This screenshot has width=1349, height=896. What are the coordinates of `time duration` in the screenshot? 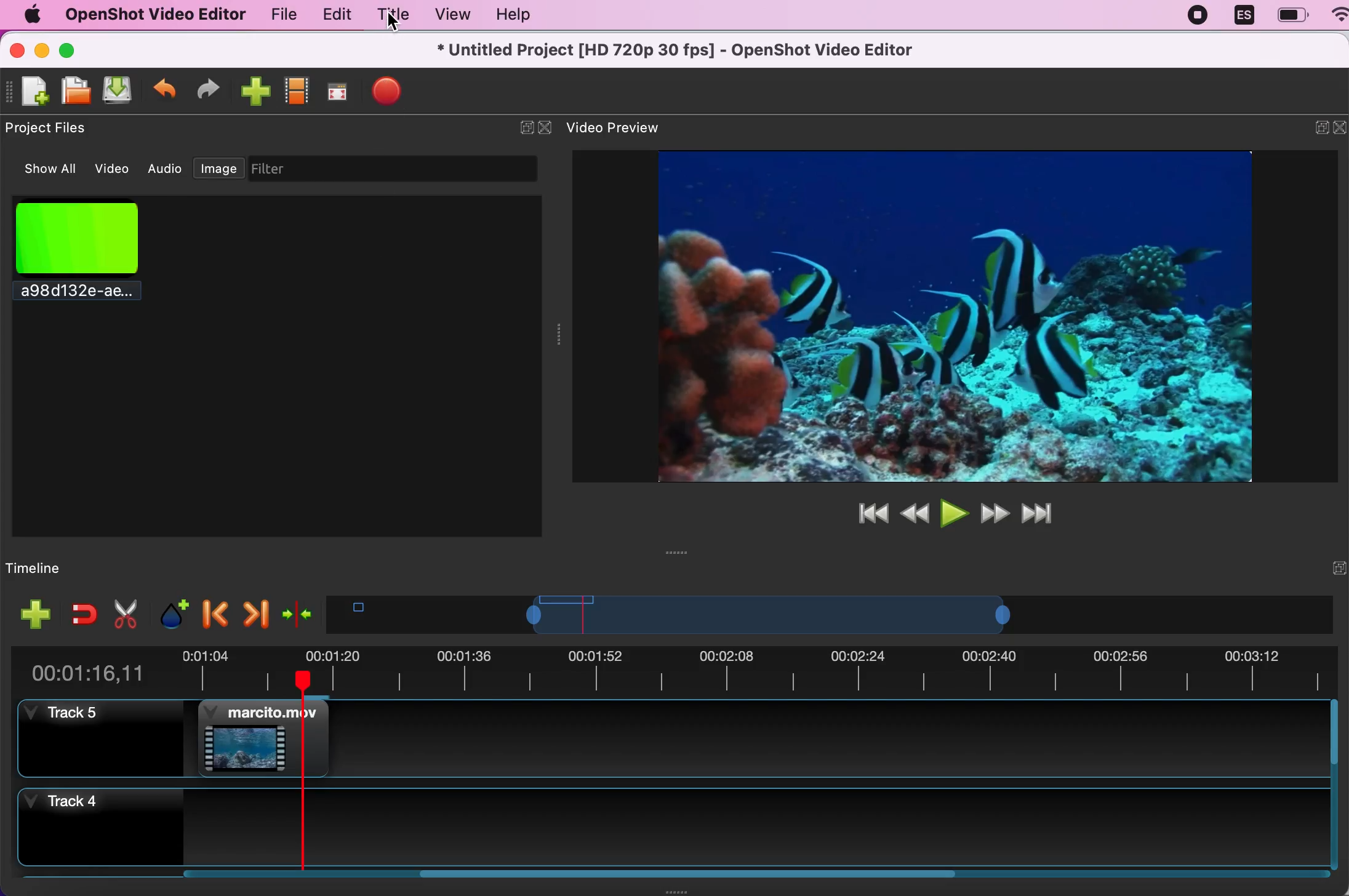 It's located at (676, 668).